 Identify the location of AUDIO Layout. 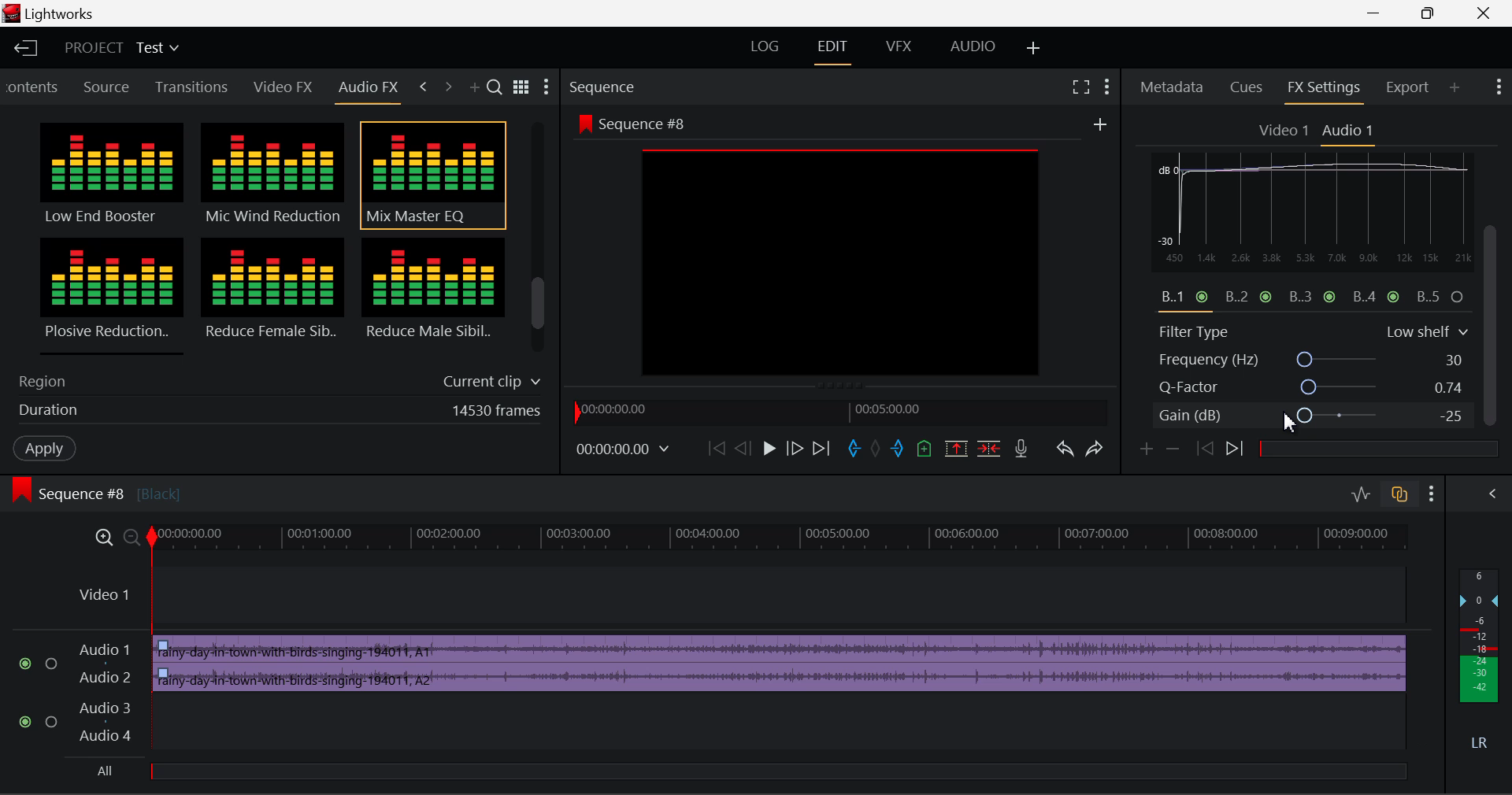
(972, 48).